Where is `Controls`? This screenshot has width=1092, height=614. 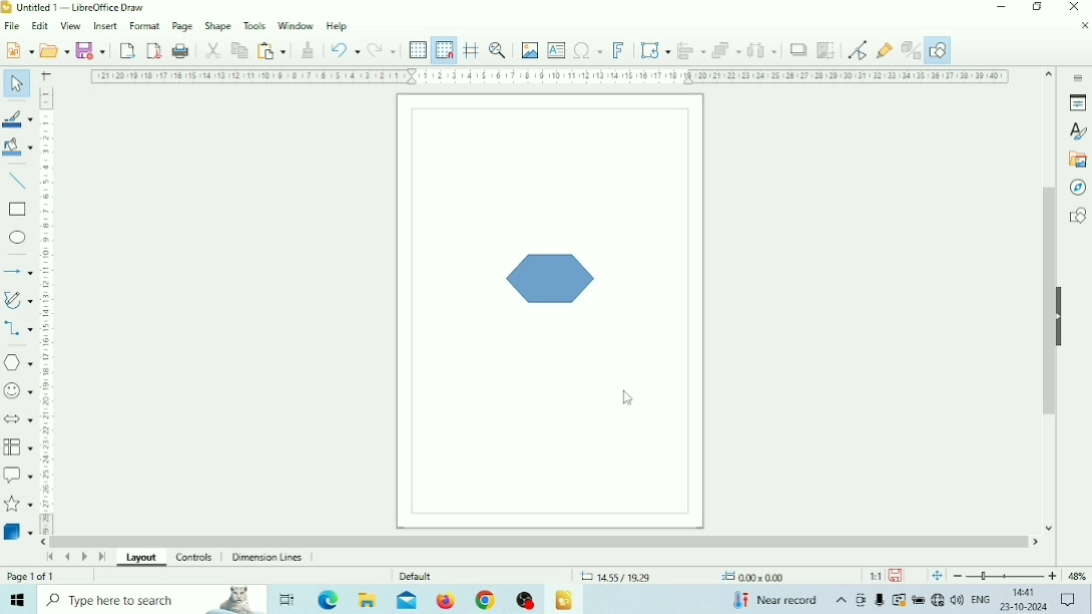 Controls is located at coordinates (196, 558).